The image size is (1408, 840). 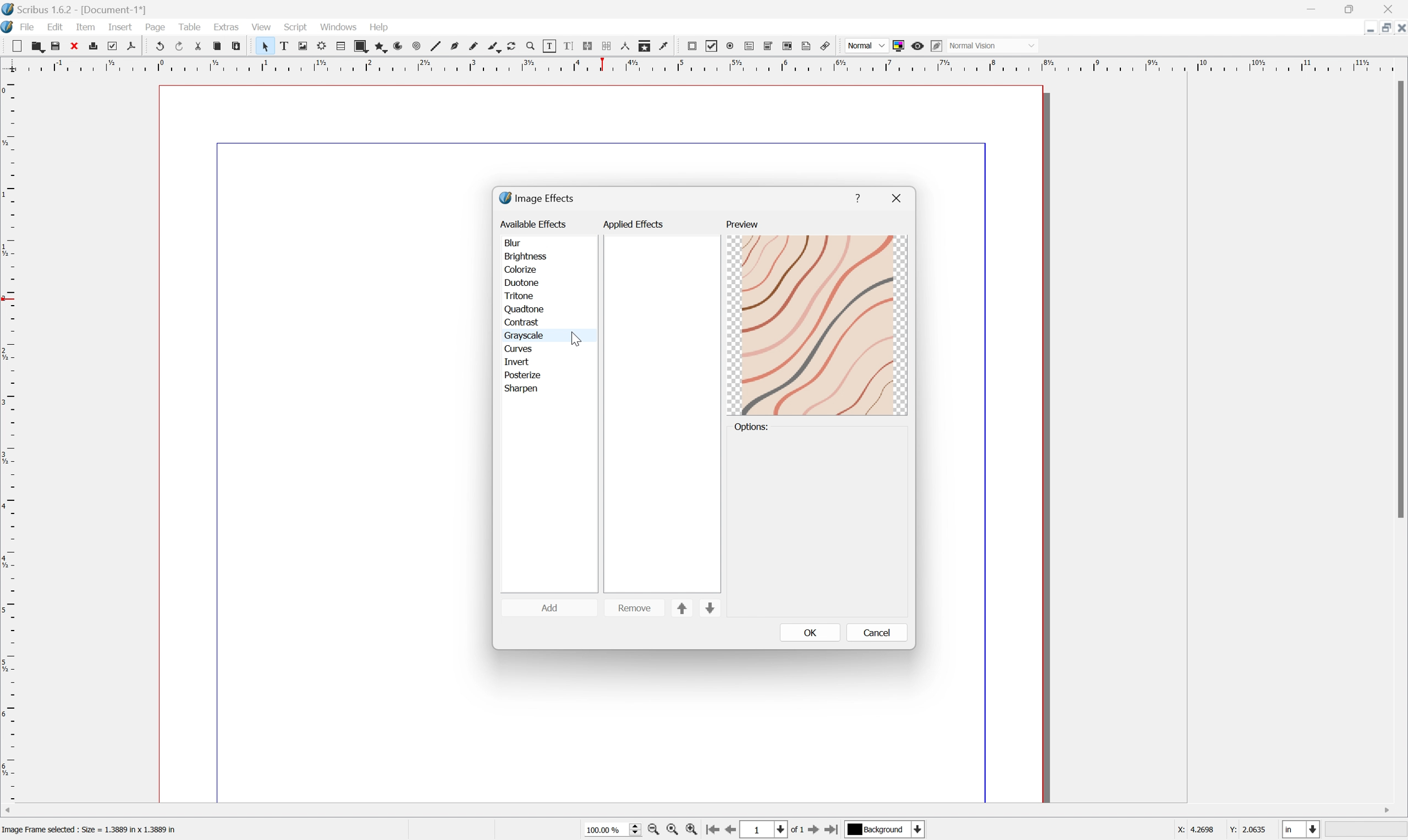 I want to click on Save, so click(x=59, y=45).